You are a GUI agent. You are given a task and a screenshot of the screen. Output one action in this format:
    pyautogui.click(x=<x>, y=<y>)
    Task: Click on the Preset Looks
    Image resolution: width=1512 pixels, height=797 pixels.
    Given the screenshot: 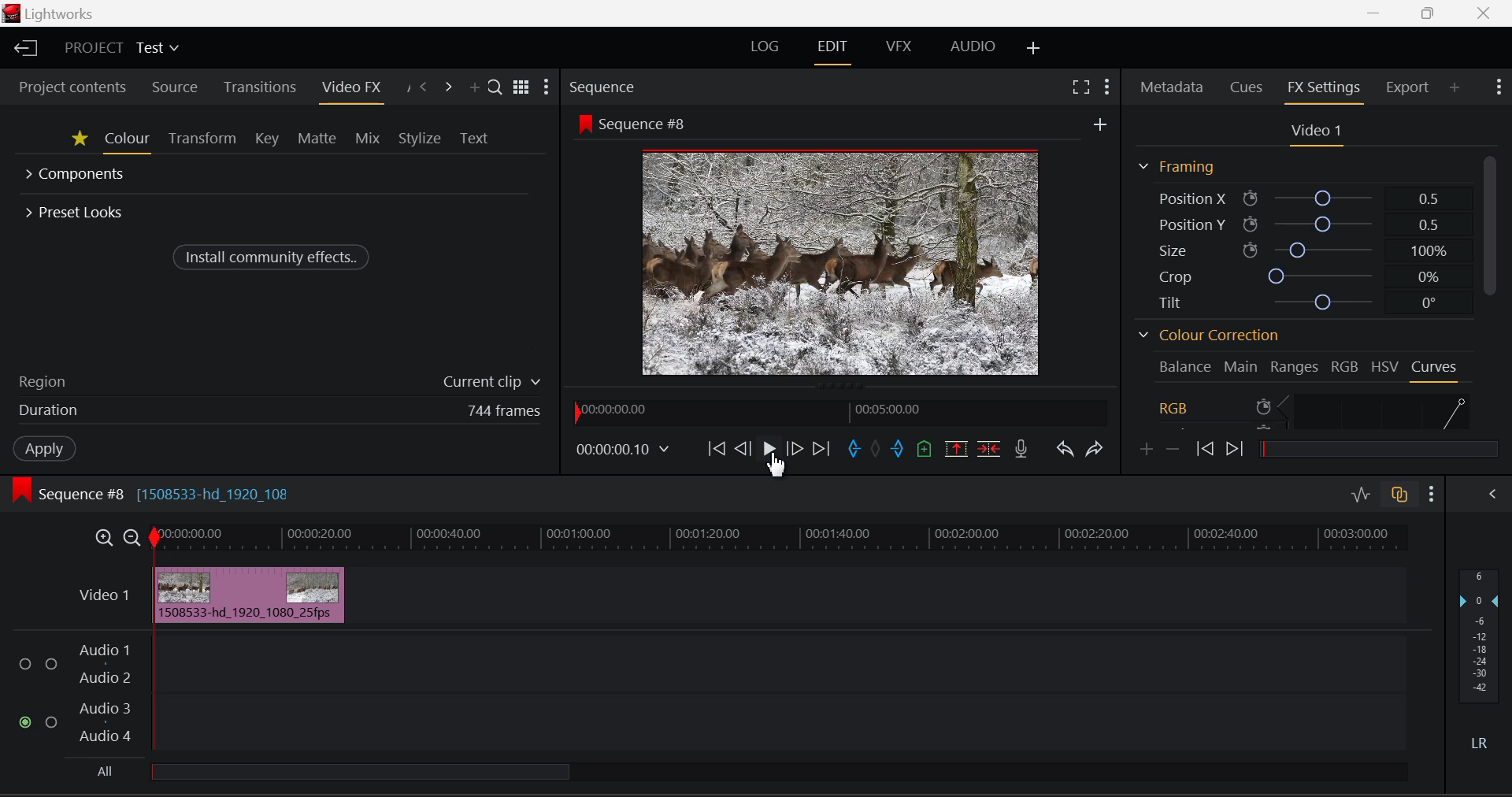 What is the action you would take?
    pyautogui.click(x=76, y=210)
    